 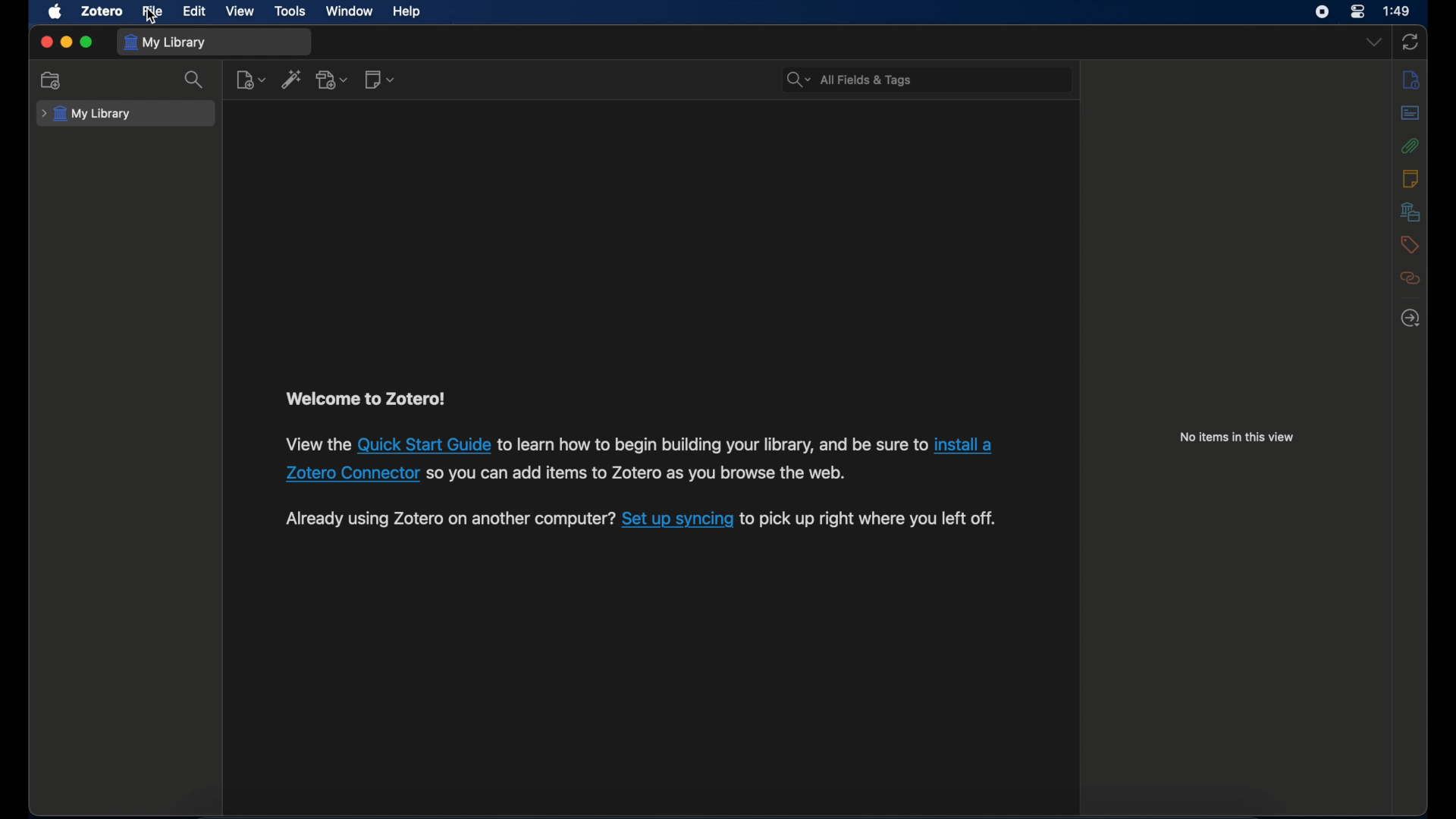 I want to click on add item by identifier, so click(x=292, y=79).